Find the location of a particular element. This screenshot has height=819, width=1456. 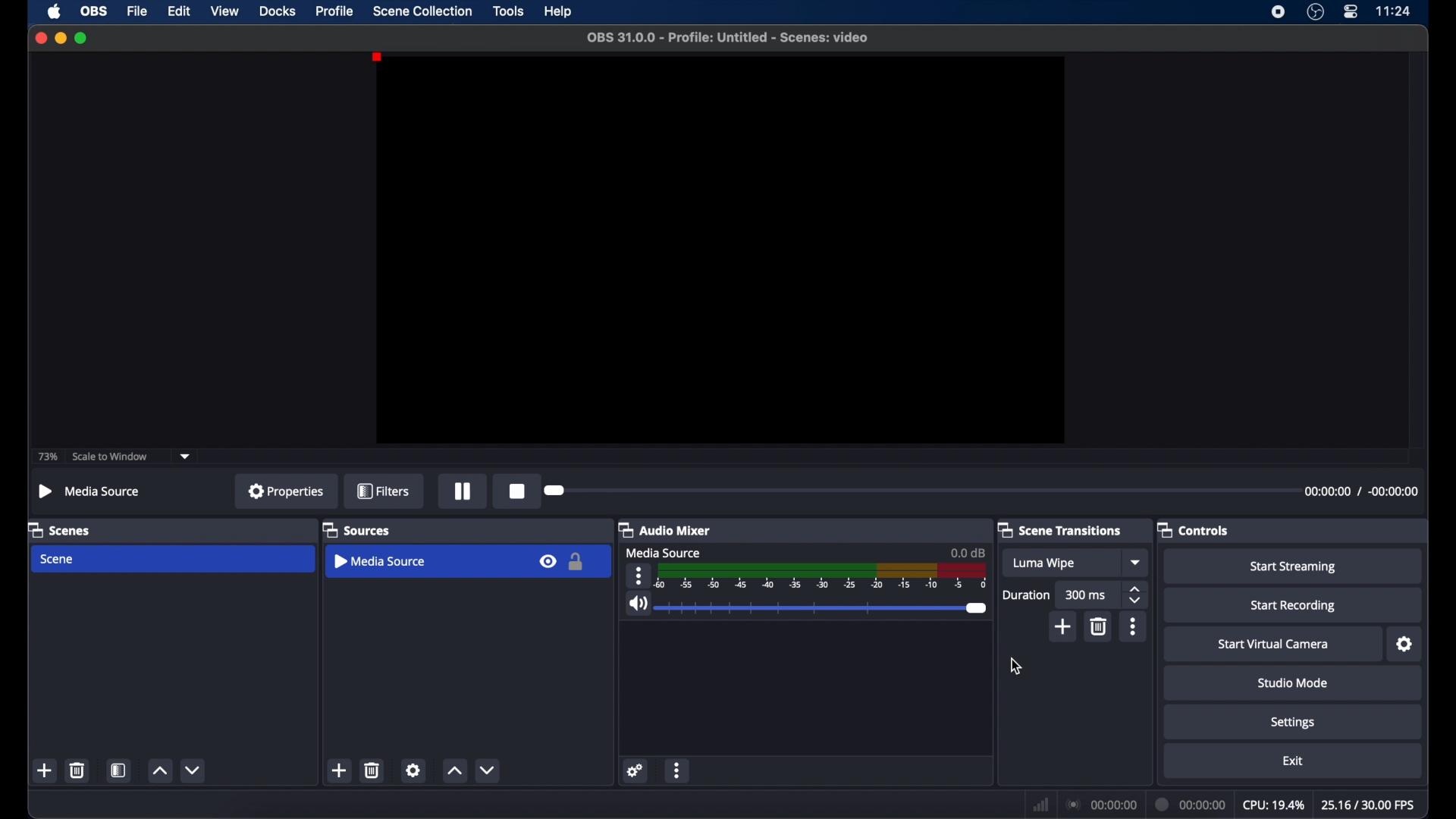

screen recorder icon is located at coordinates (1277, 11).